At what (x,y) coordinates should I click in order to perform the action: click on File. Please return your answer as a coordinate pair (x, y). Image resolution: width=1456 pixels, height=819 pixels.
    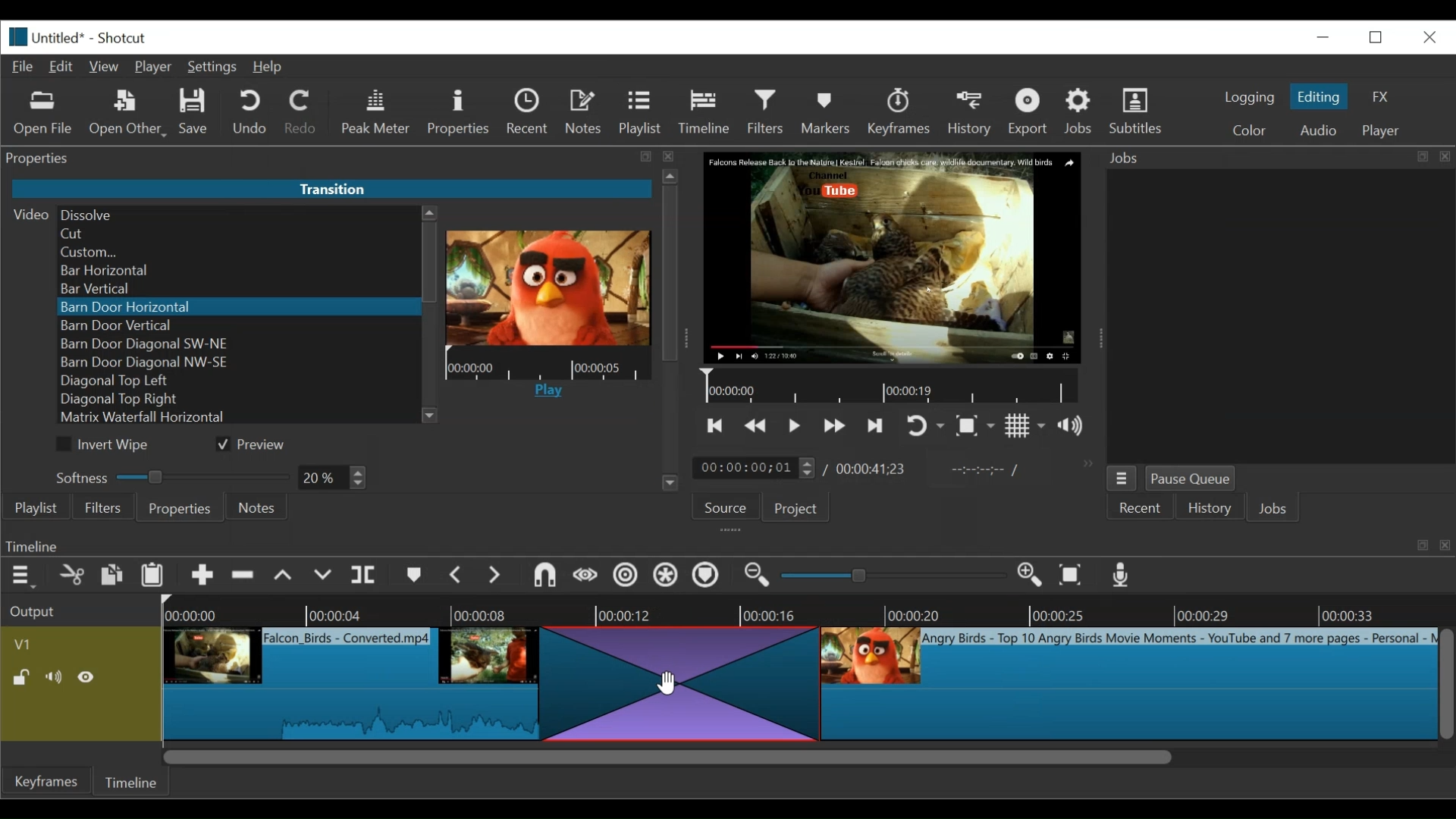
    Looking at the image, I should click on (24, 67).